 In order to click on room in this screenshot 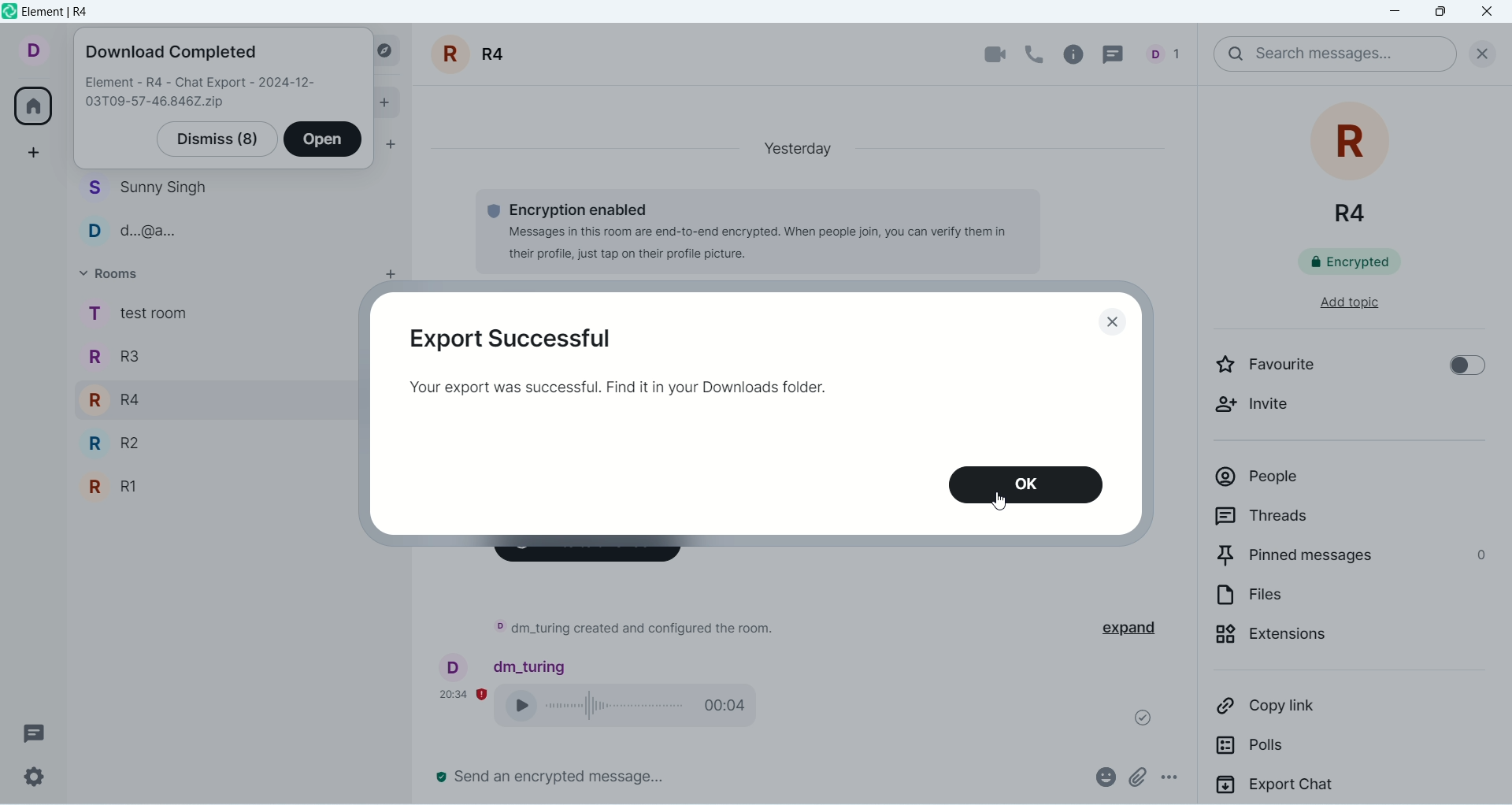, I will do `click(474, 54)`.